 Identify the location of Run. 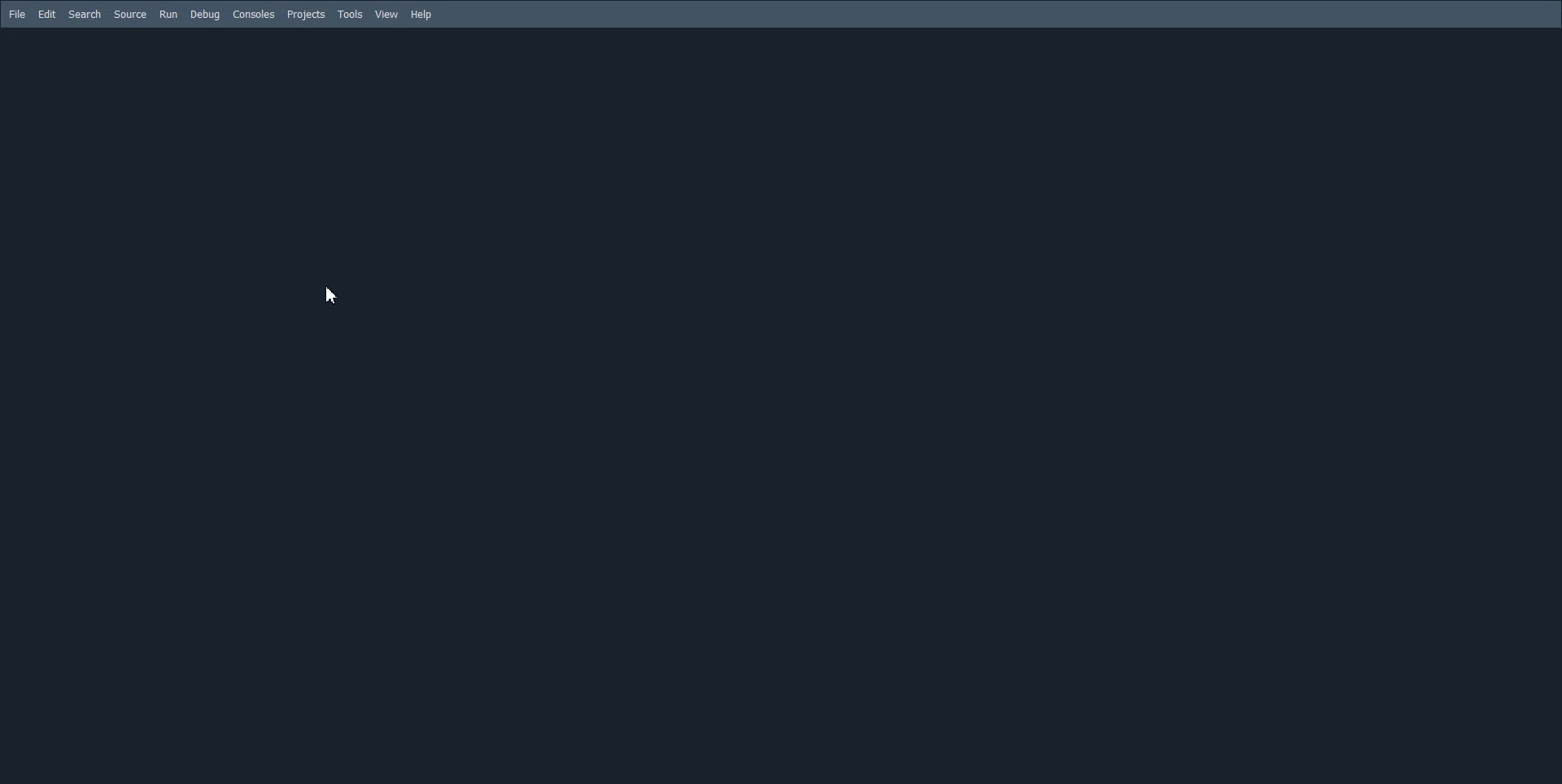
(168, 15).